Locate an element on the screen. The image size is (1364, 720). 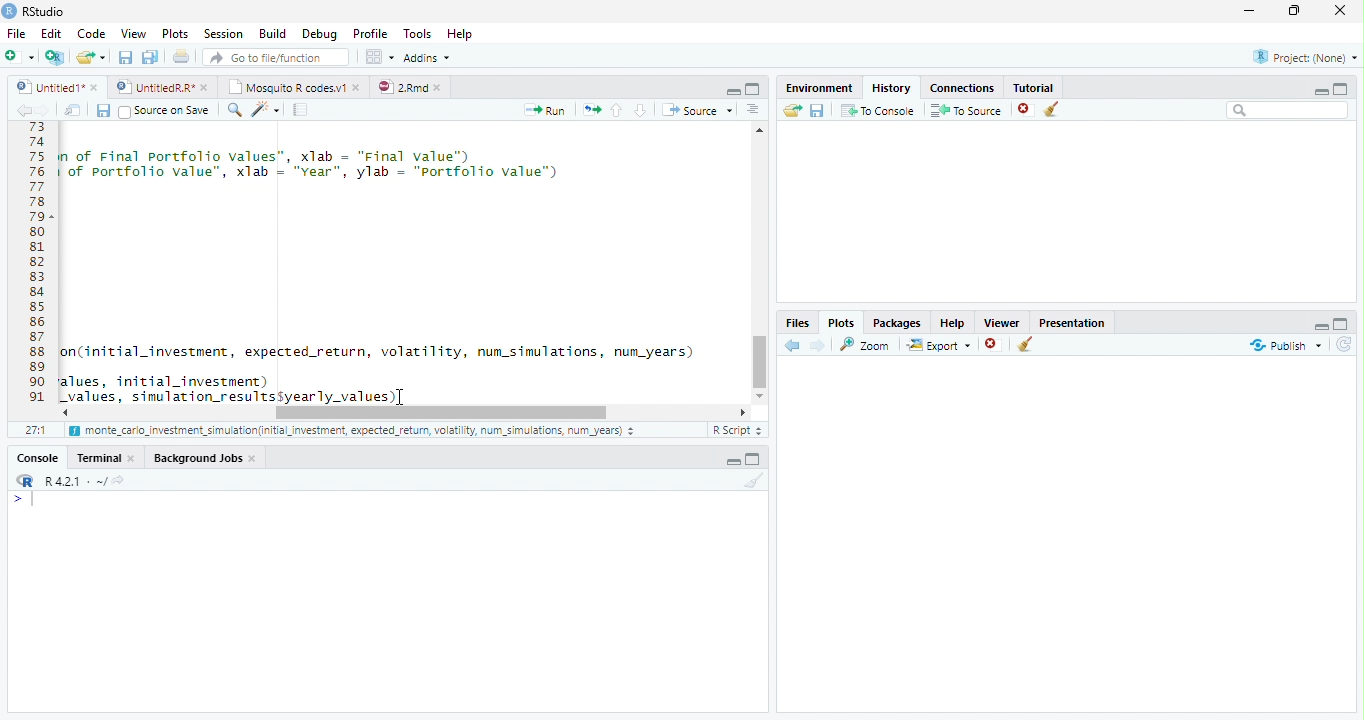
To Source is located at coordinates (966, 110).